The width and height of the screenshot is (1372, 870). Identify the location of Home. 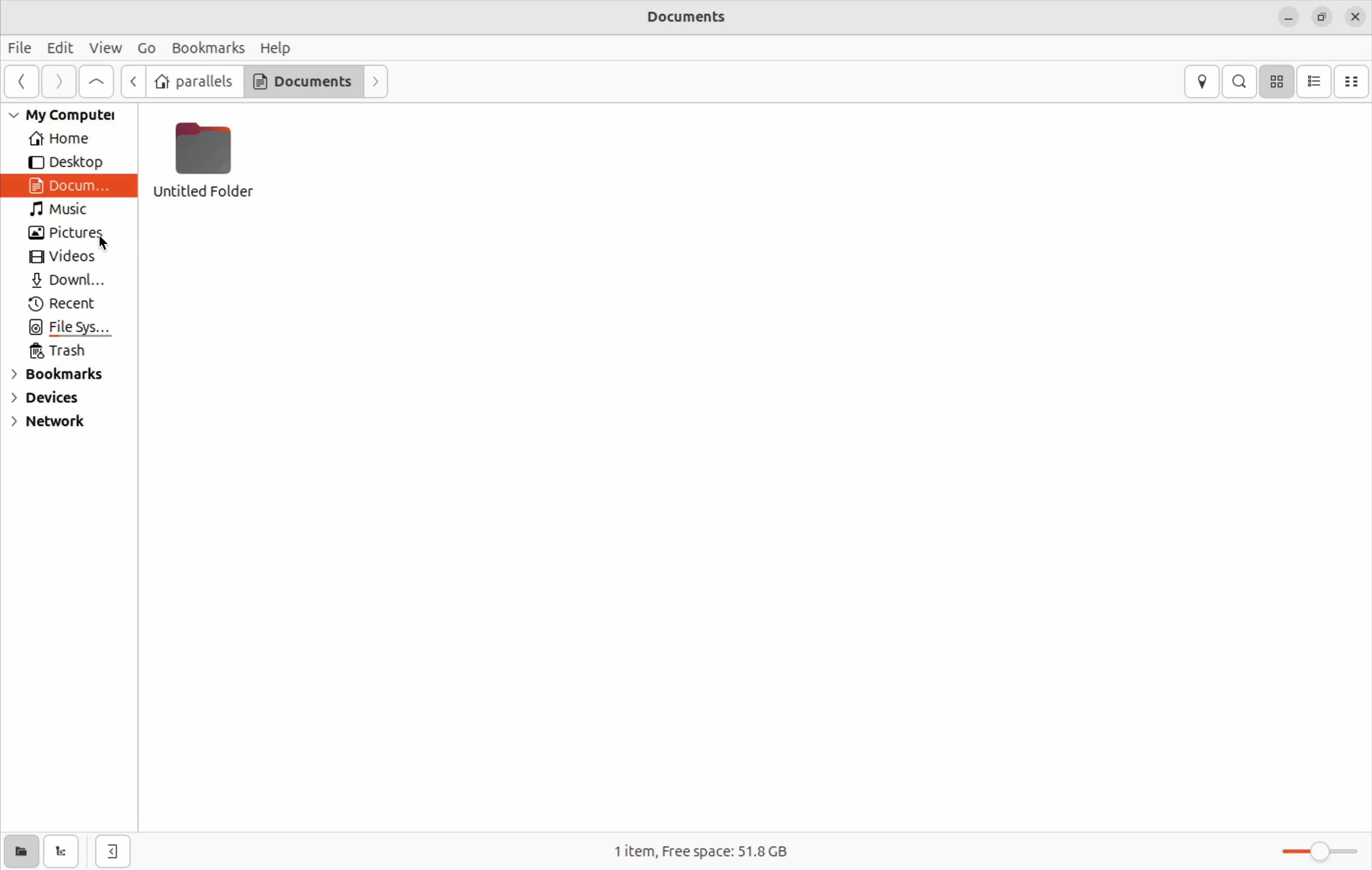
(64, 138).